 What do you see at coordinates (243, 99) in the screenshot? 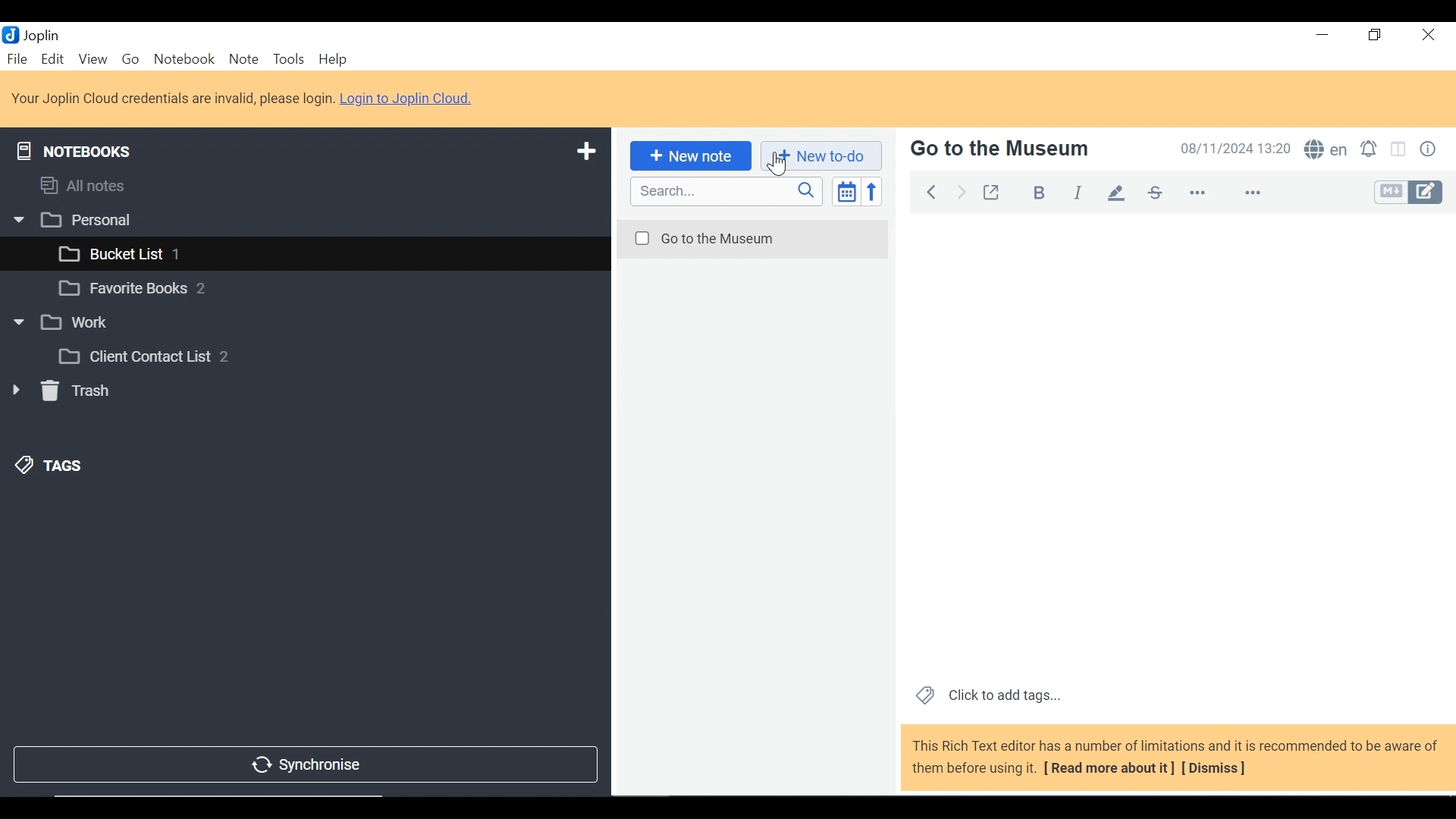
I see `Login to Joplin Cloud` at bounding box center [243, 99].